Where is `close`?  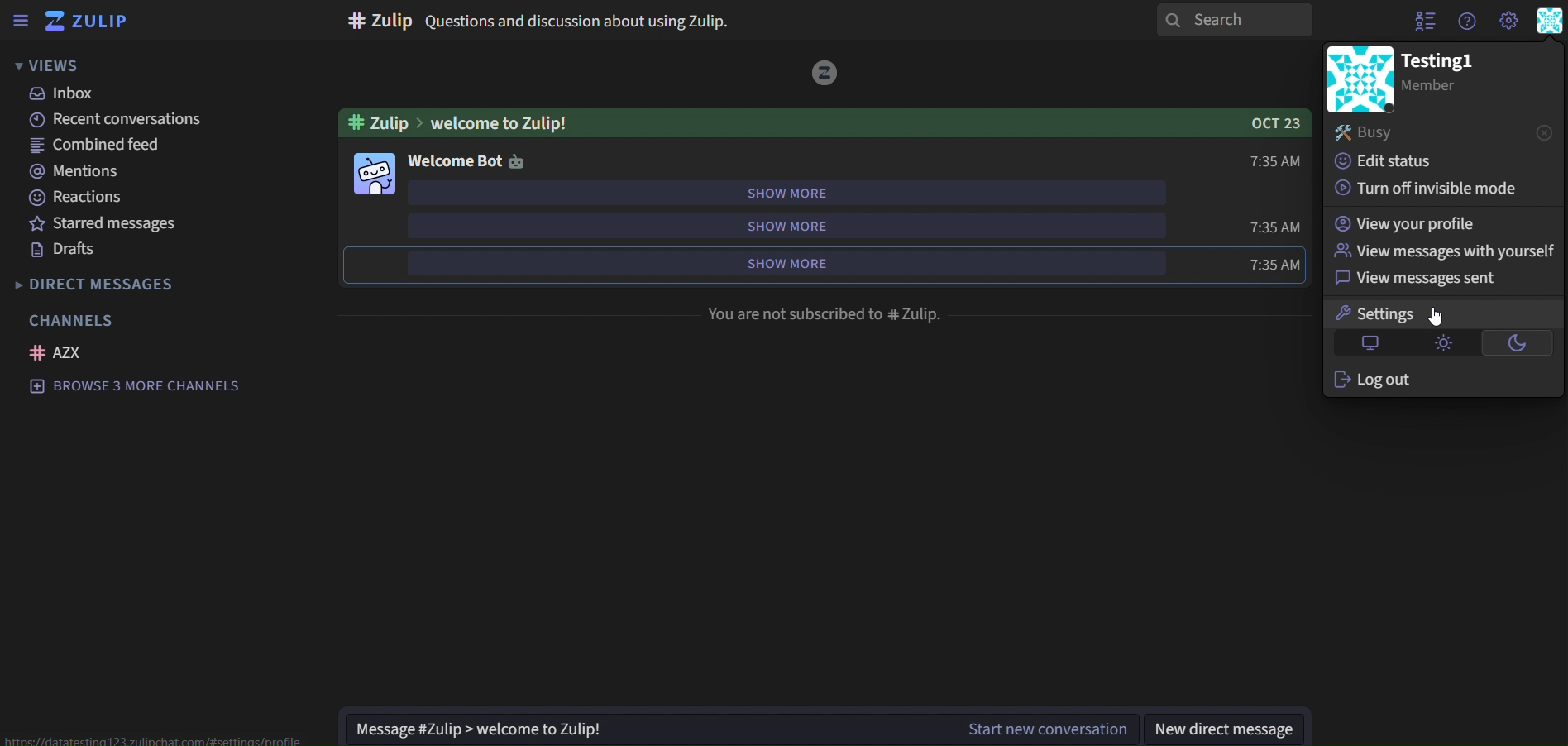 close is located at coordinates (1543, 132).